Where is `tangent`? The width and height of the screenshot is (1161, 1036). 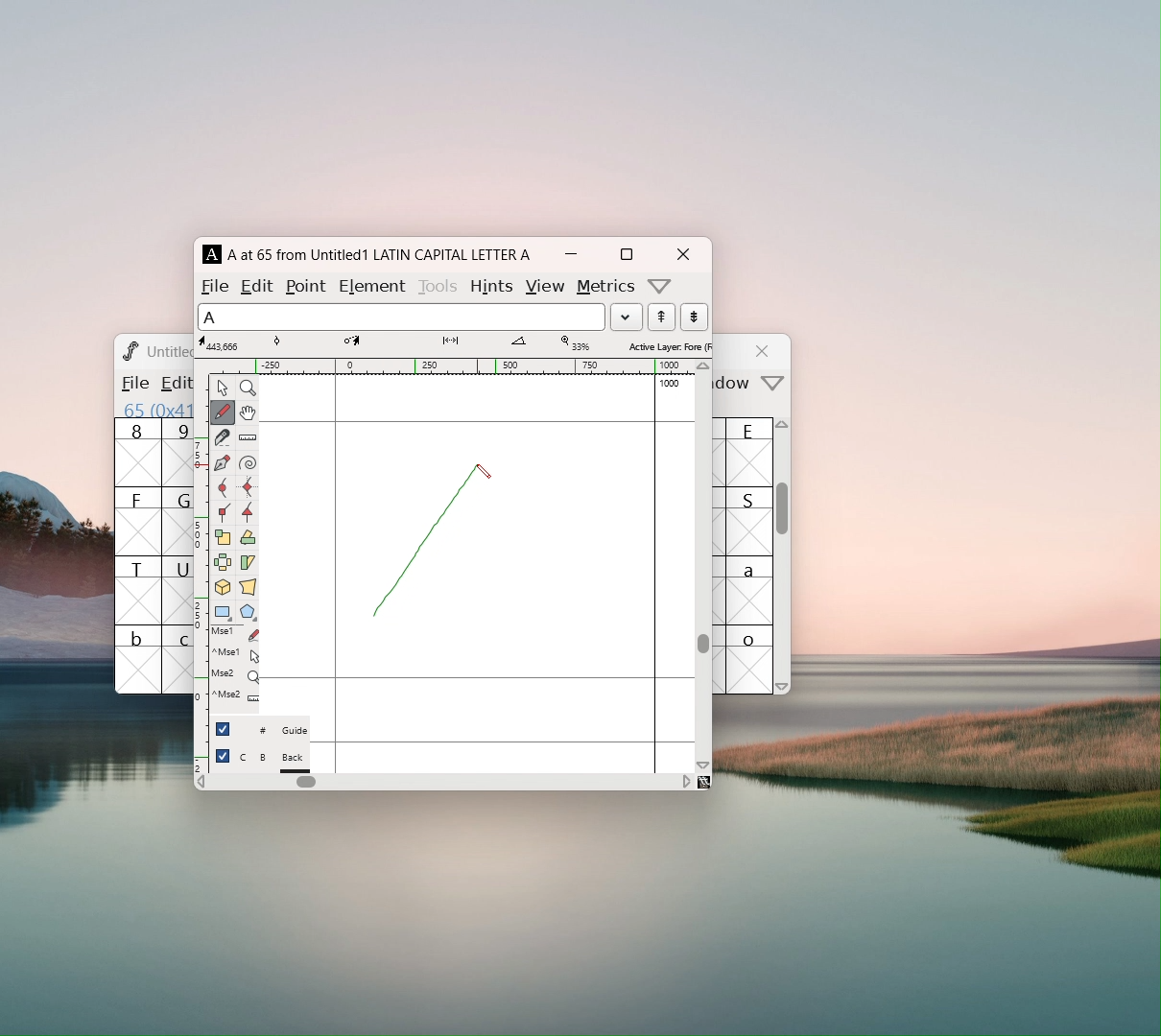 tangent is located at coordinates (276, 343).